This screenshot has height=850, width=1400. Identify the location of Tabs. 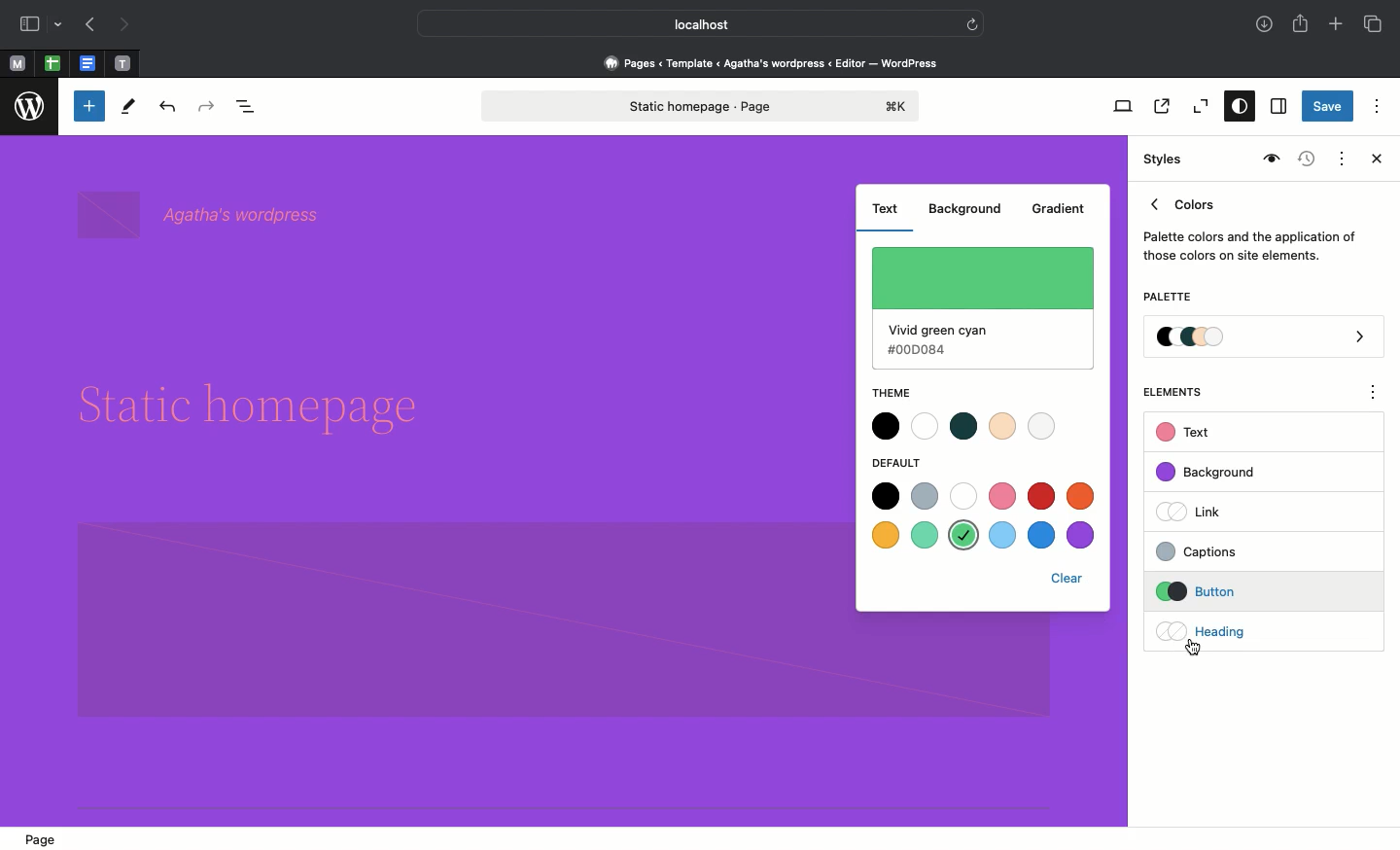
(1375, 24).